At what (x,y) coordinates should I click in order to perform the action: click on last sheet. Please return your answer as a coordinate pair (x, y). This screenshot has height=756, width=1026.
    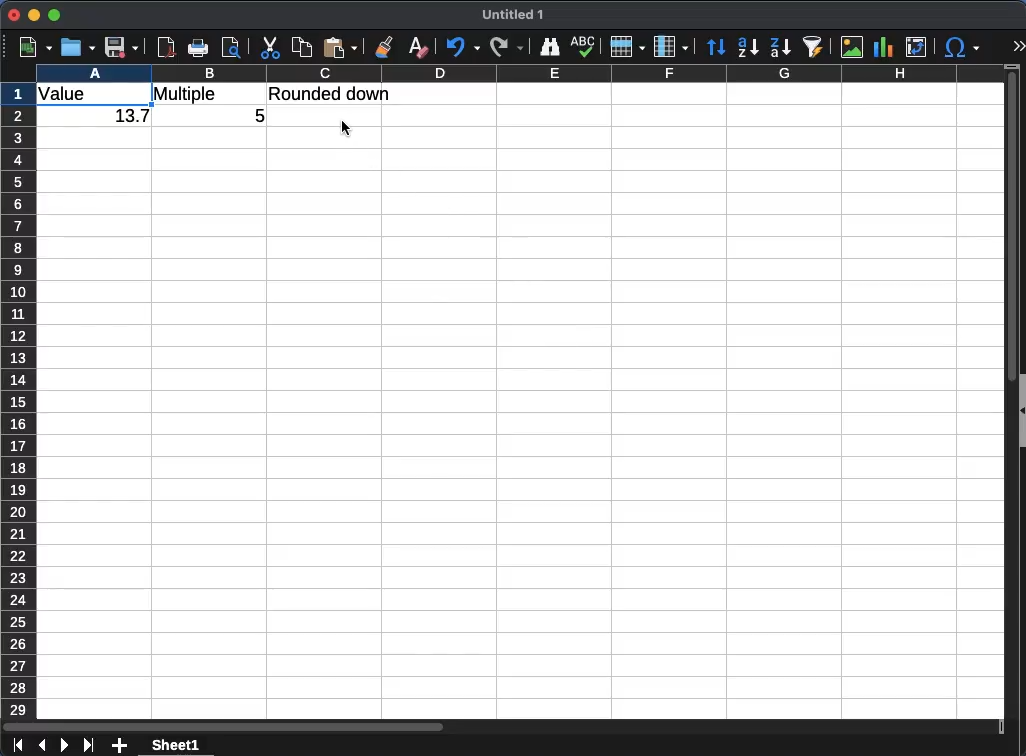
    Looking at the image, I should click on (88, 745).